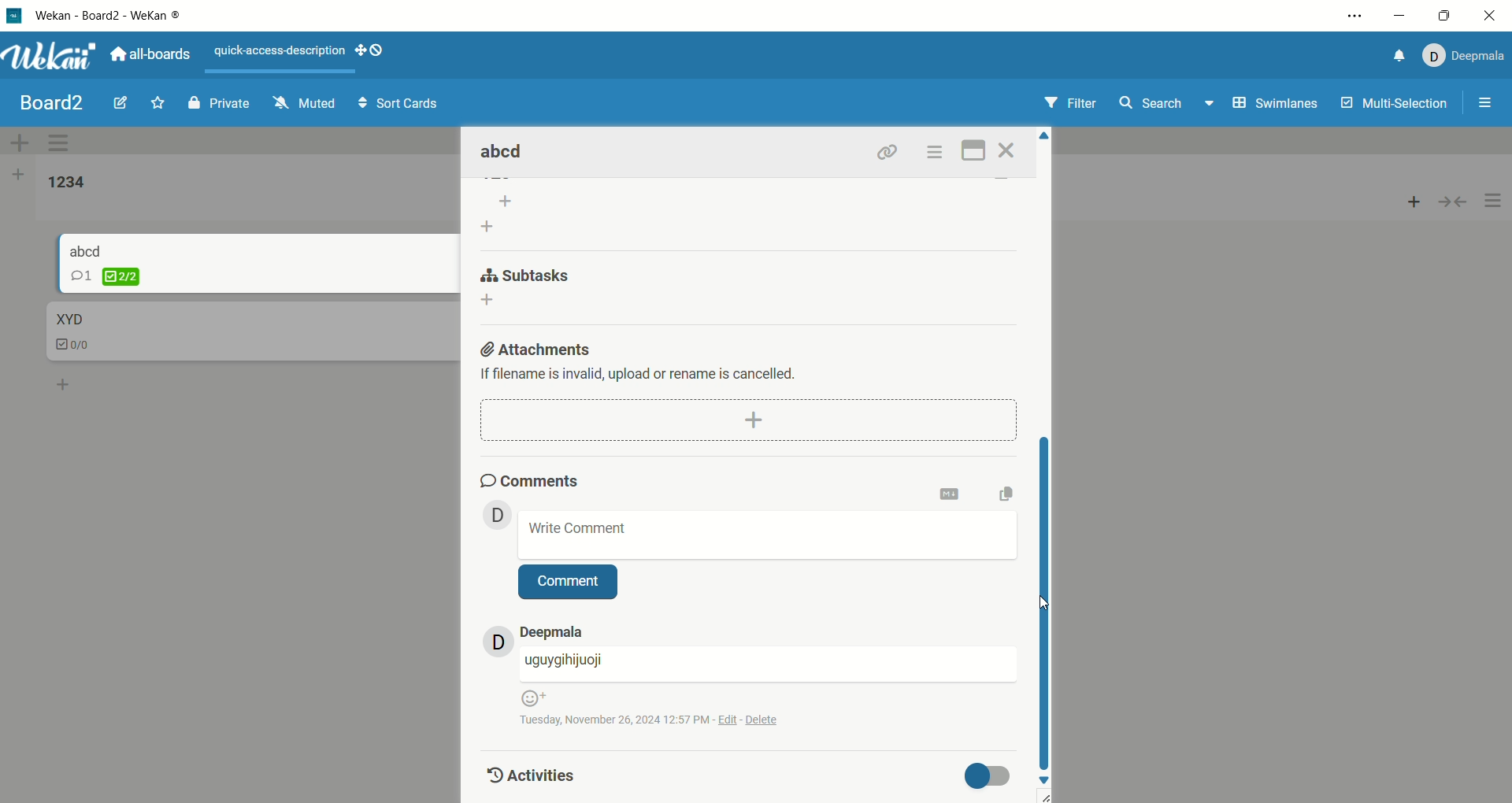  Describe the element at coordinates (1488, 18) in the screenshot. I see `close` at that location.